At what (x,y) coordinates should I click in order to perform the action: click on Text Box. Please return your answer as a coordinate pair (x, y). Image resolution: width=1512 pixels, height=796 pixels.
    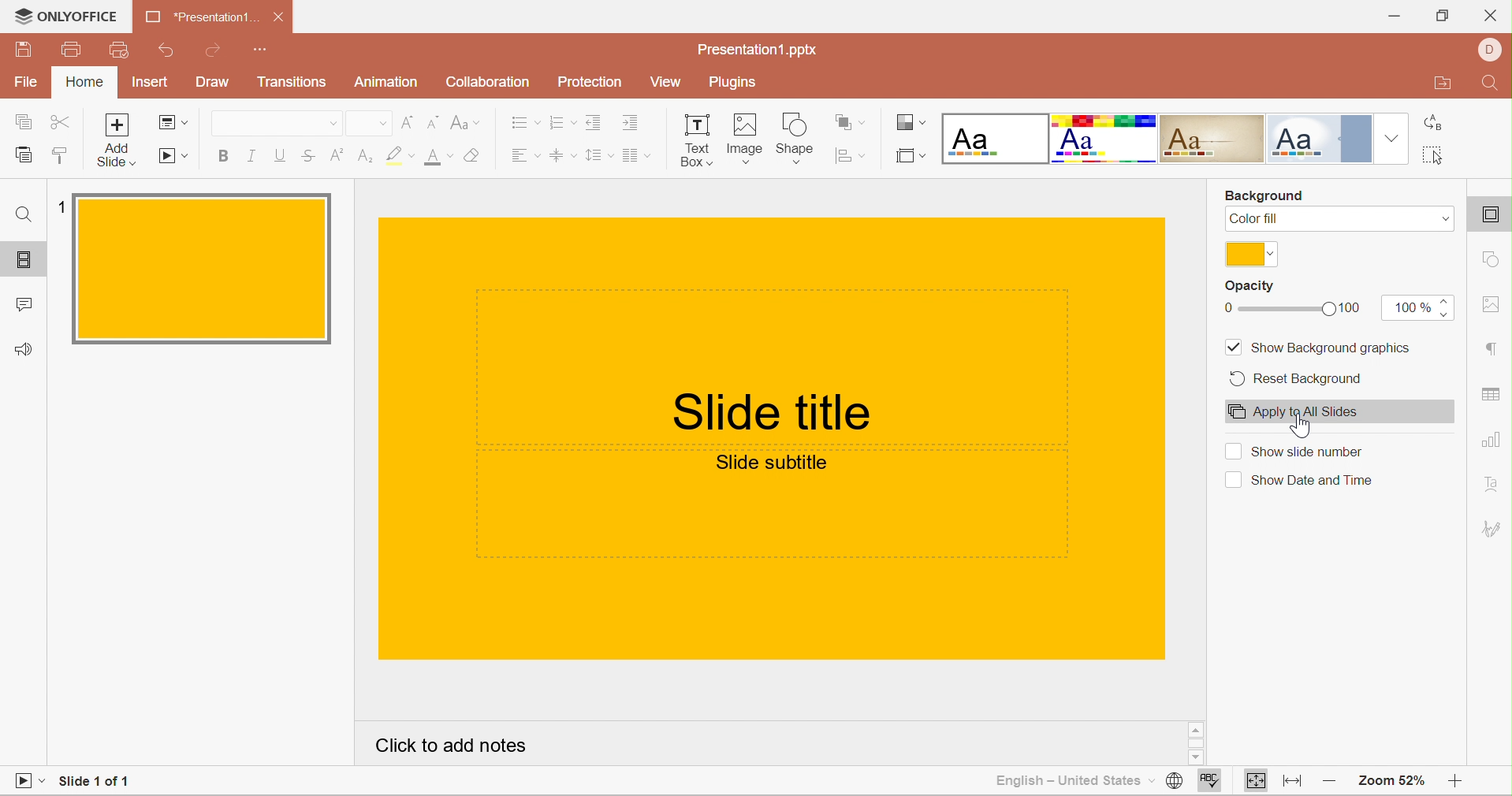
    Looking at the image, I should click on (693, 139).